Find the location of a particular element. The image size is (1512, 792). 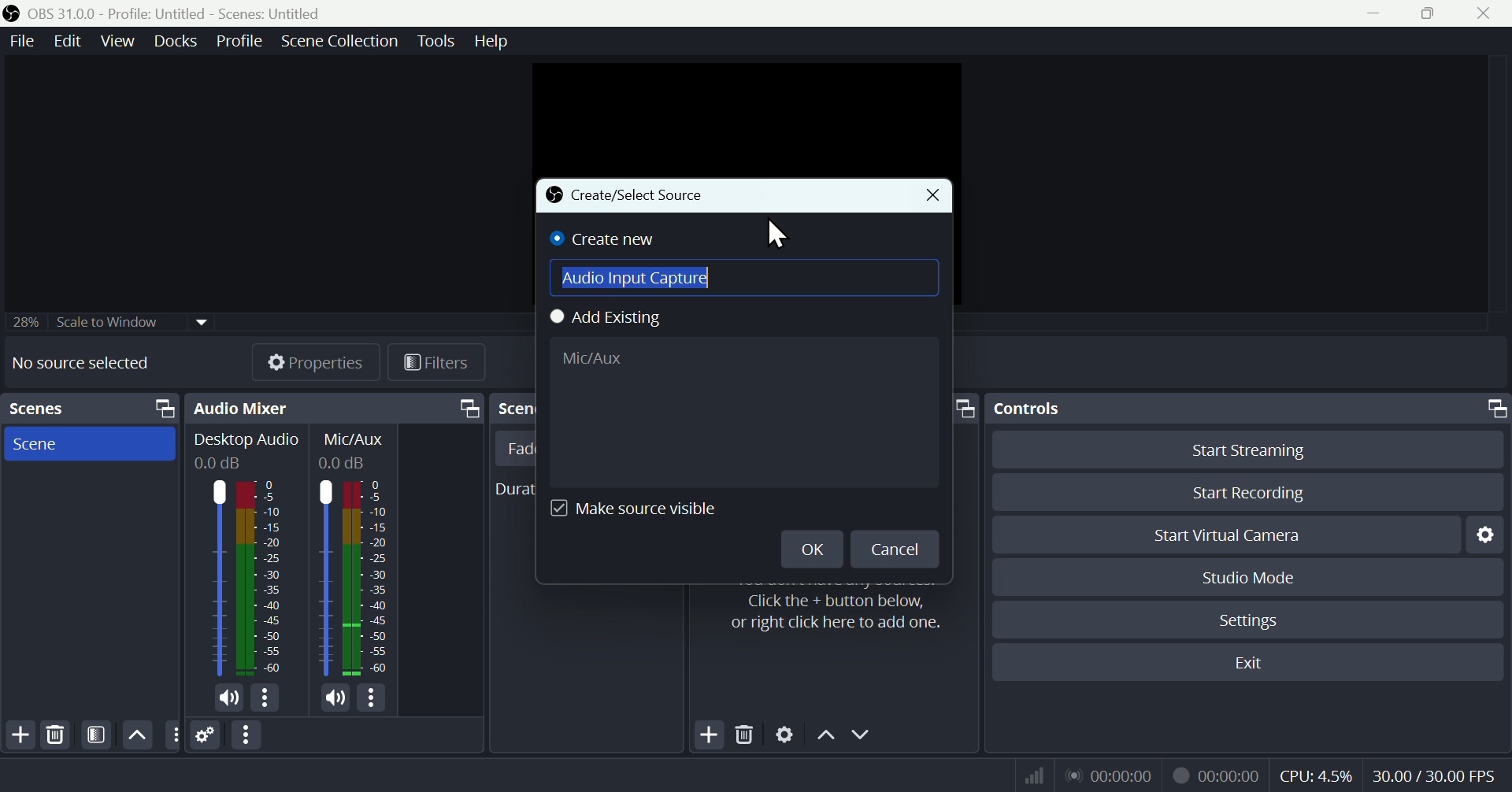

help is located at coordinates (491, 41).